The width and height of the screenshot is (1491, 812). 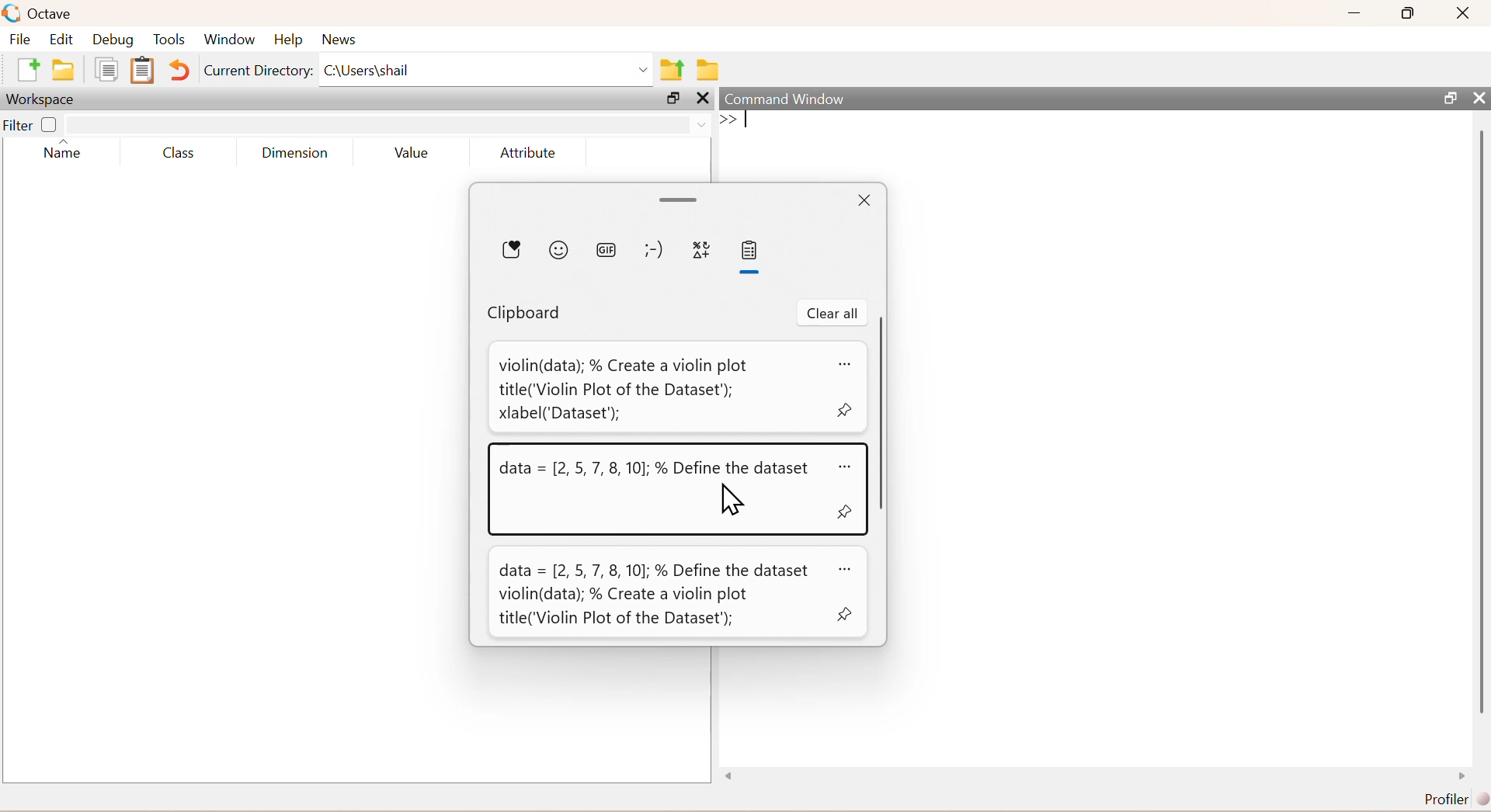 I want to click on octave, so click(x=53, y=15).